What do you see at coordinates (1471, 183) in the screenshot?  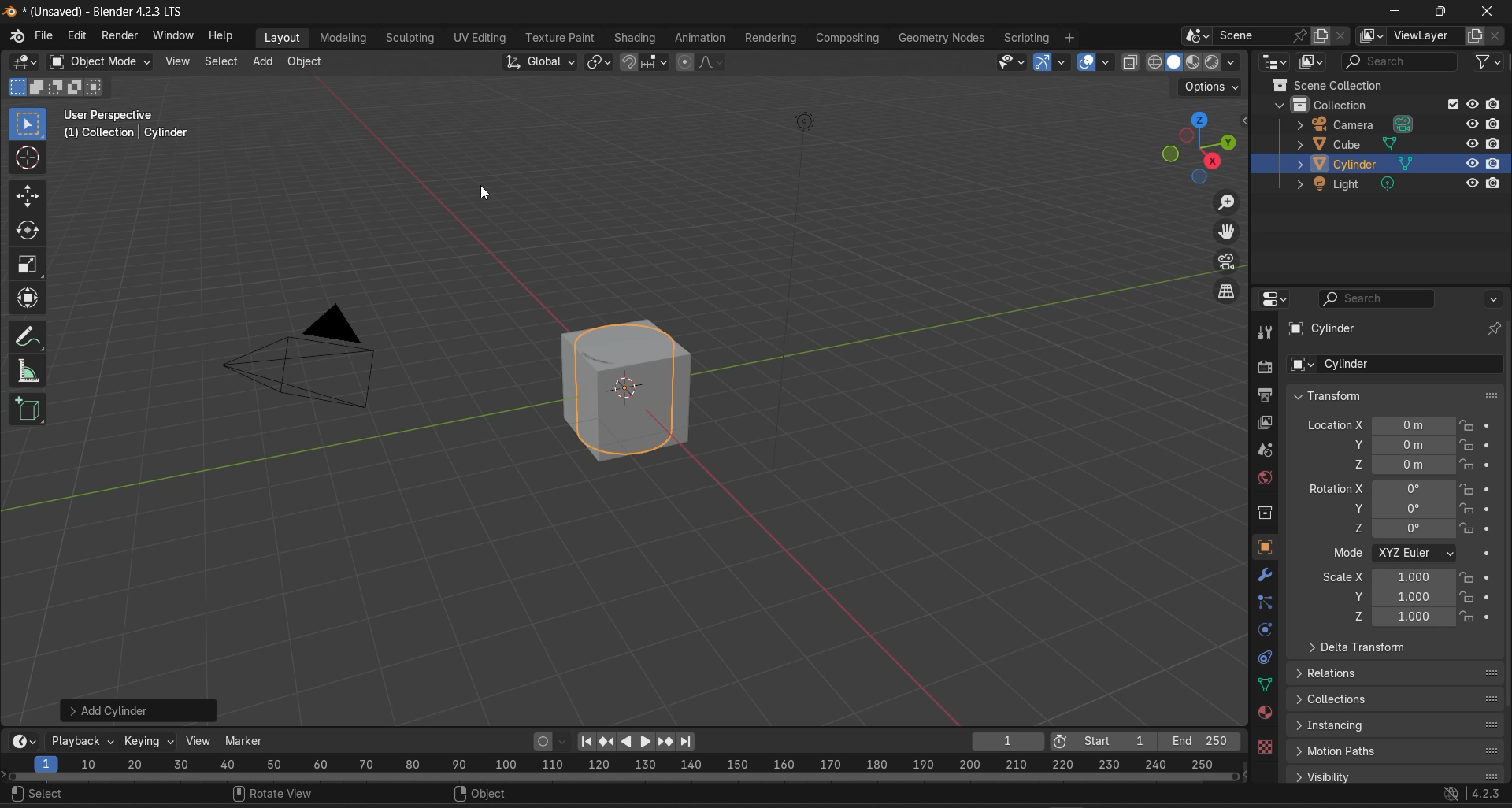 I see `hide in view port` at bounding box center [1471, 183].